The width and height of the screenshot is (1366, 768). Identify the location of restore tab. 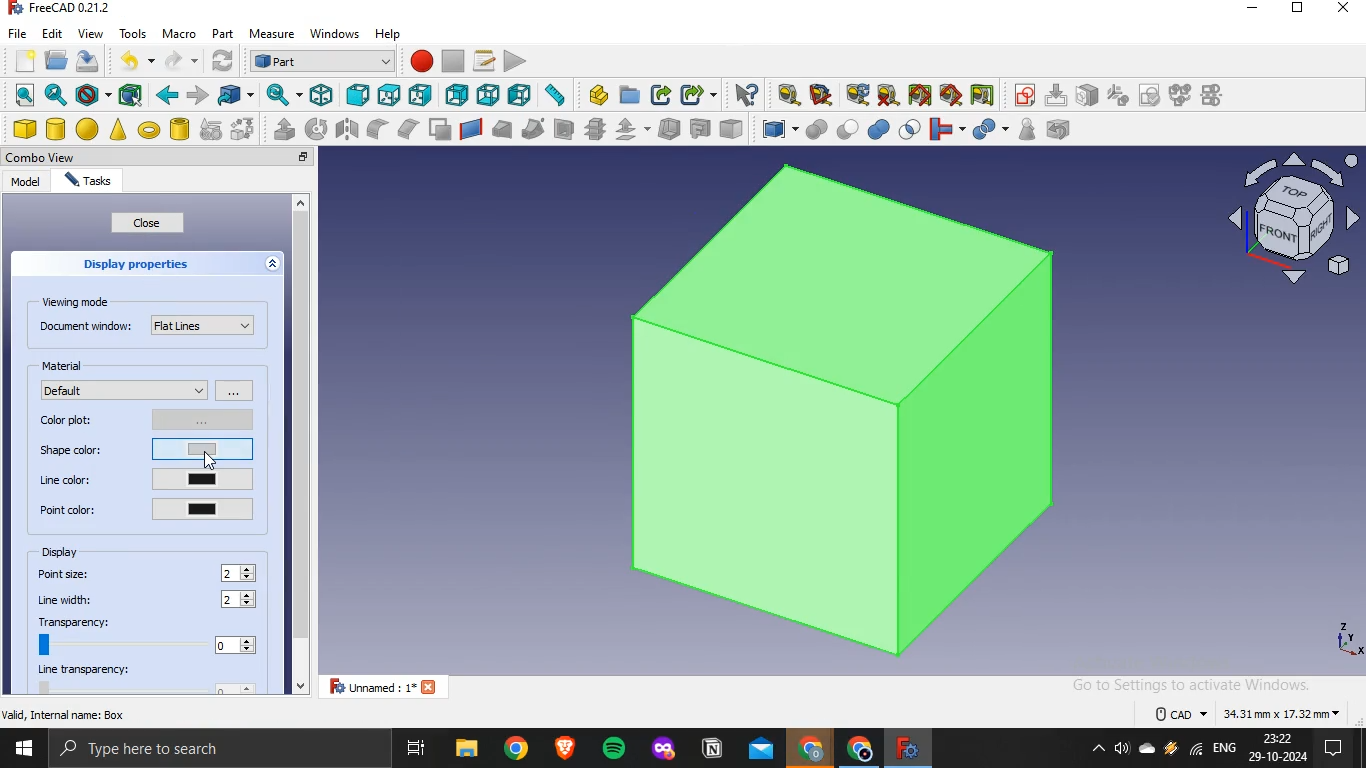
(281, 157).